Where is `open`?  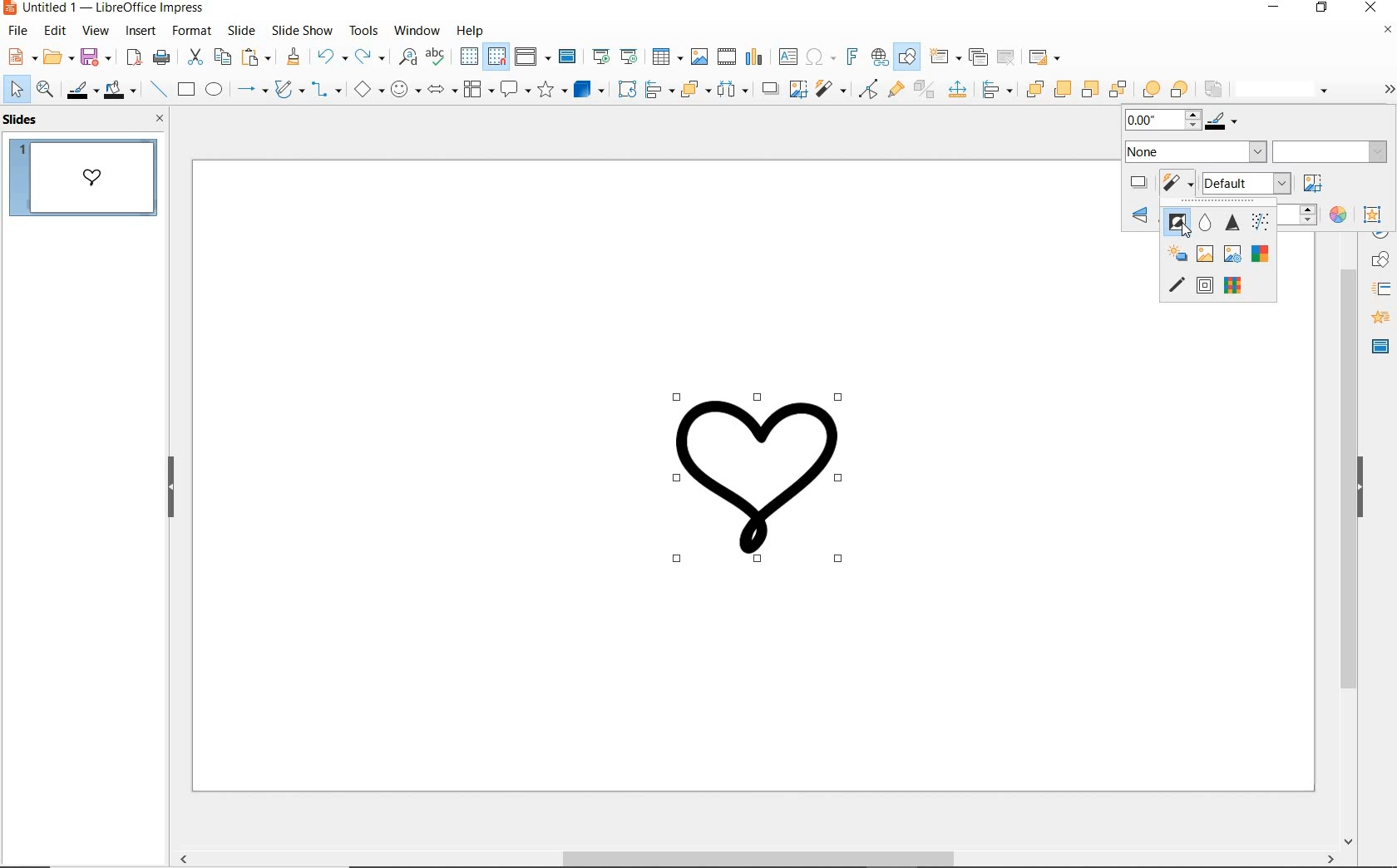 open is located at coordinates (57, 55).